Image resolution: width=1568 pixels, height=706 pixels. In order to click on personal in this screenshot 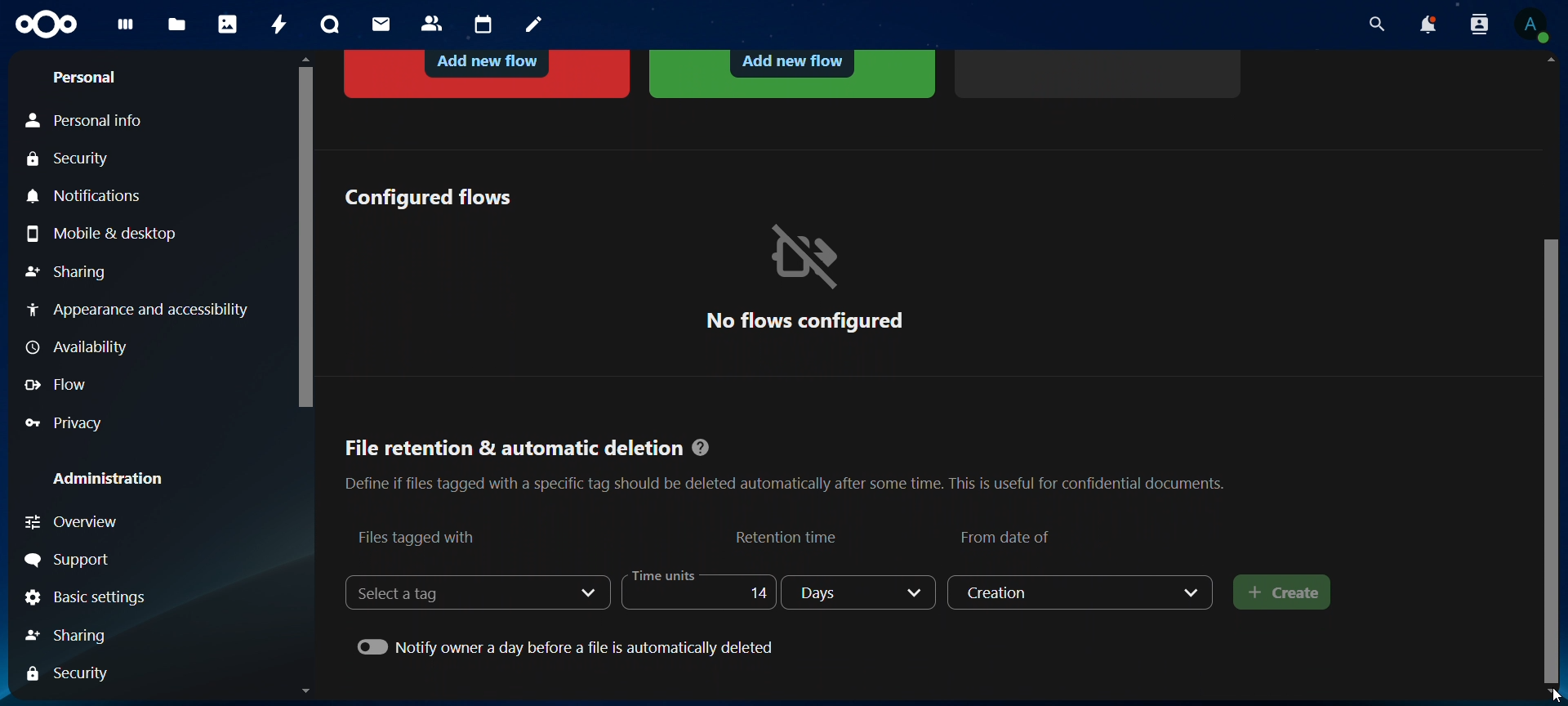, I will do `click(83, 78)`.